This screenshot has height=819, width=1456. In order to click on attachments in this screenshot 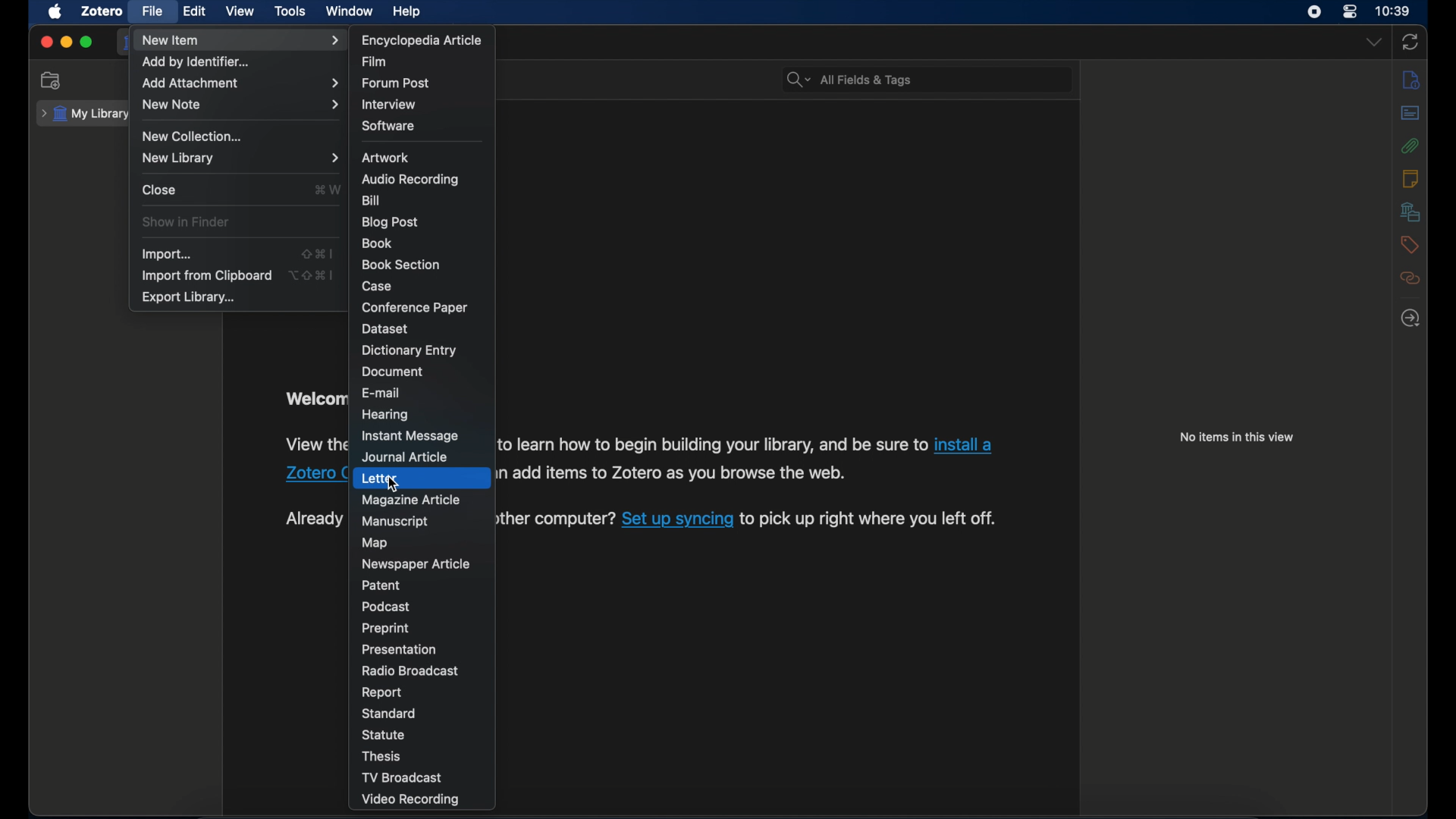, I will do `click(1410, 146)`.